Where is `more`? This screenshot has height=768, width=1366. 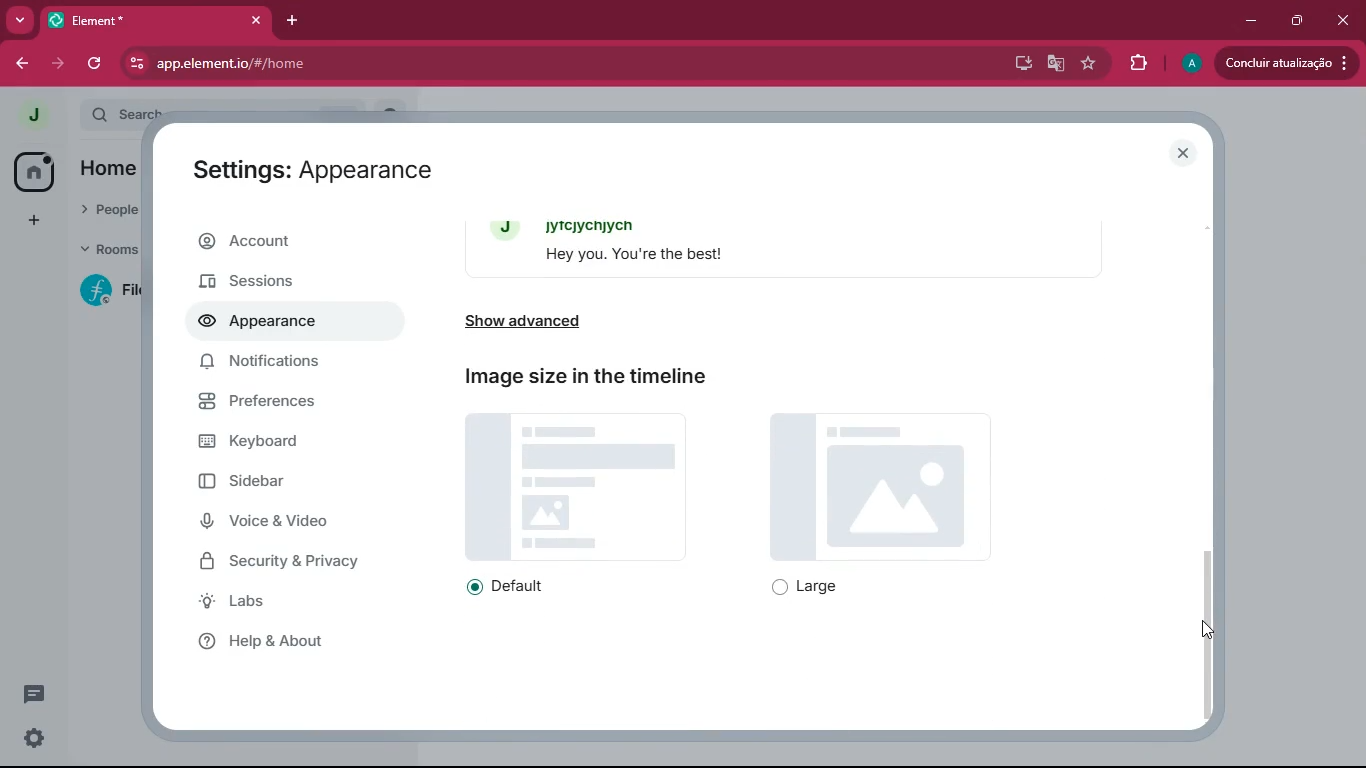 more is located at coordinates (19, 19).